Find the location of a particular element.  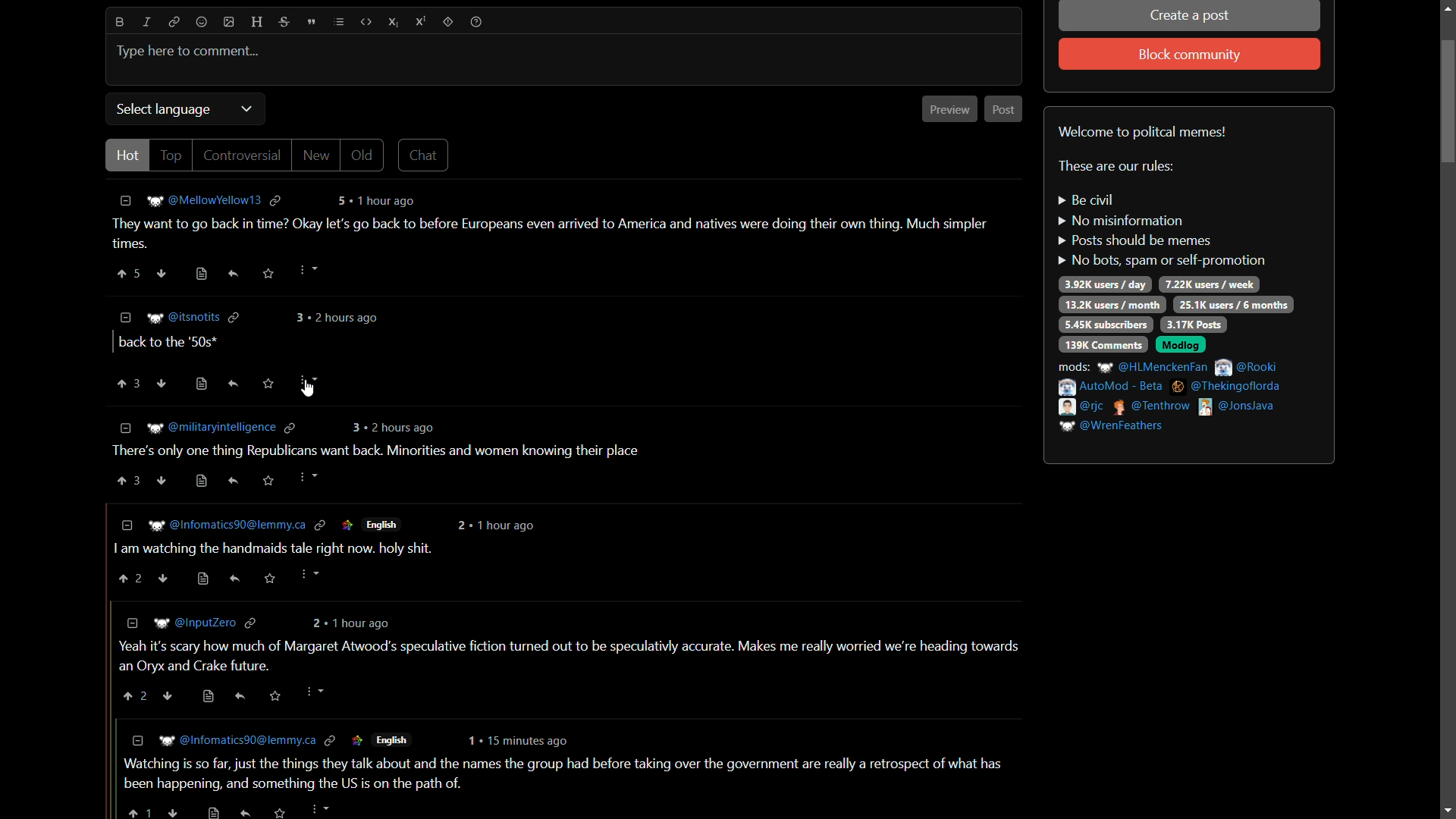

3.17k posts is located at coordinates (1193, 325).